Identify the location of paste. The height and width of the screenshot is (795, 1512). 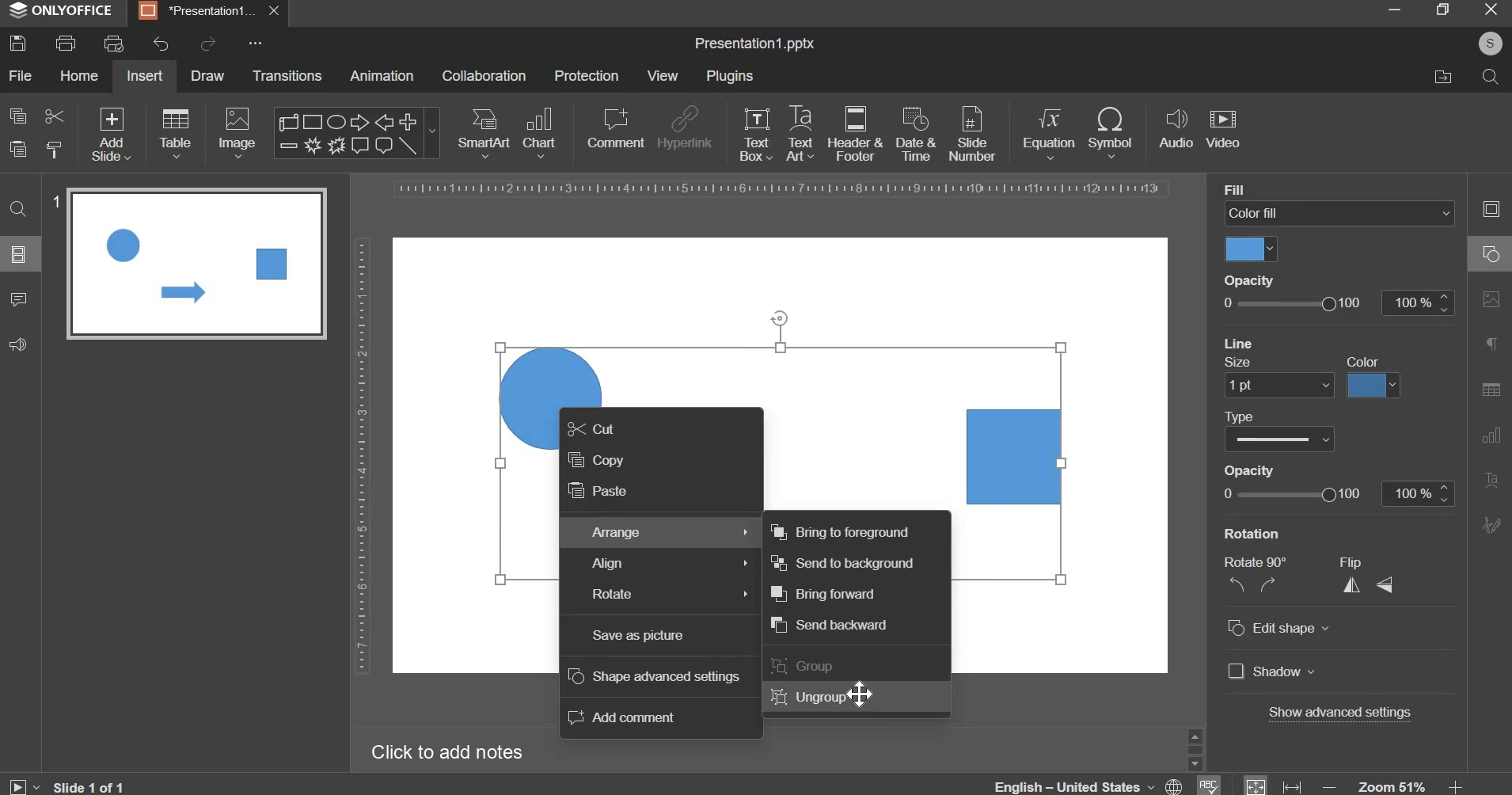
(18, 150).